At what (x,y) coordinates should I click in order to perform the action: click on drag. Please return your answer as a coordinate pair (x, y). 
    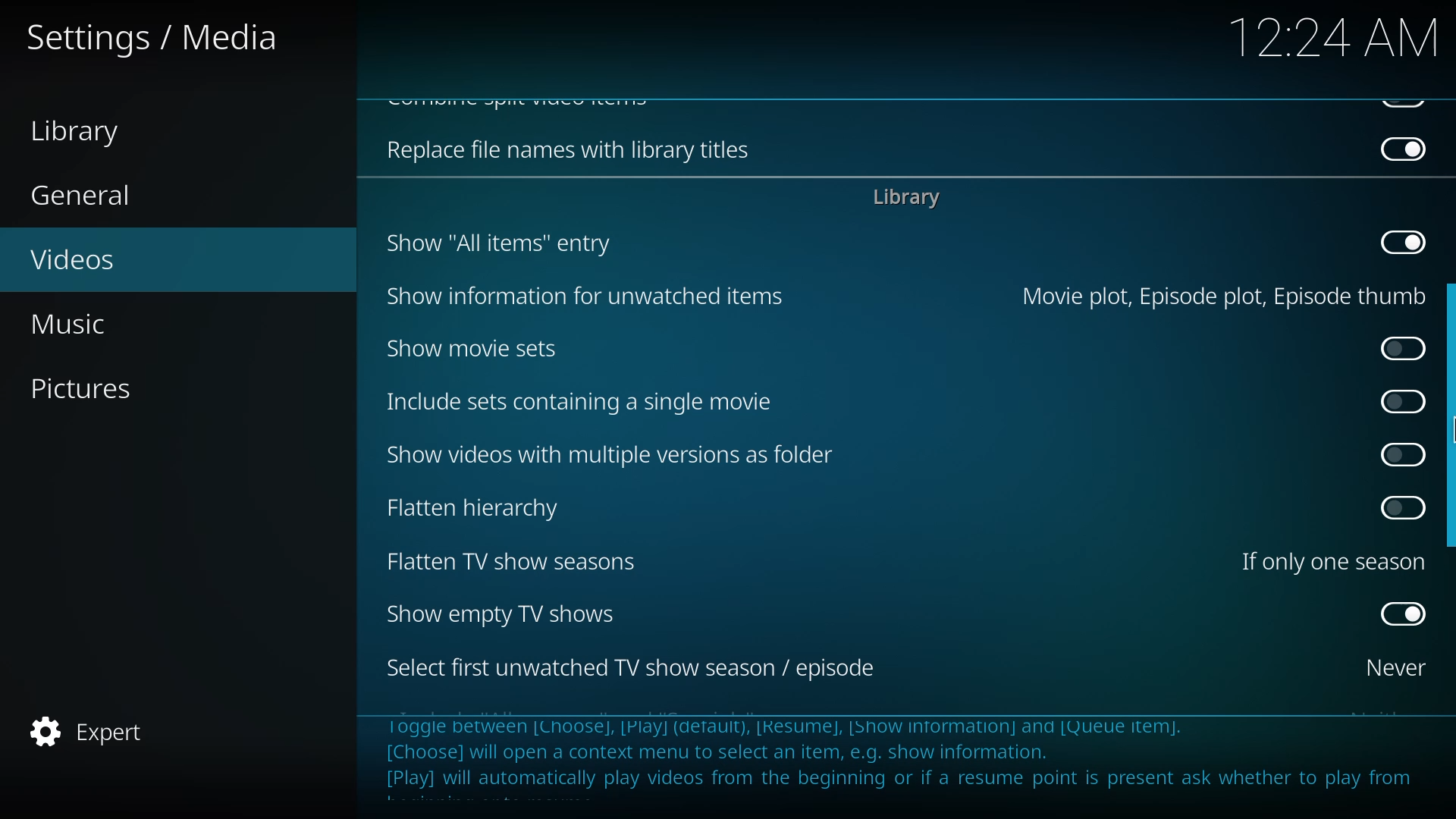
    Looking at the image, I should click on (1450, 416).